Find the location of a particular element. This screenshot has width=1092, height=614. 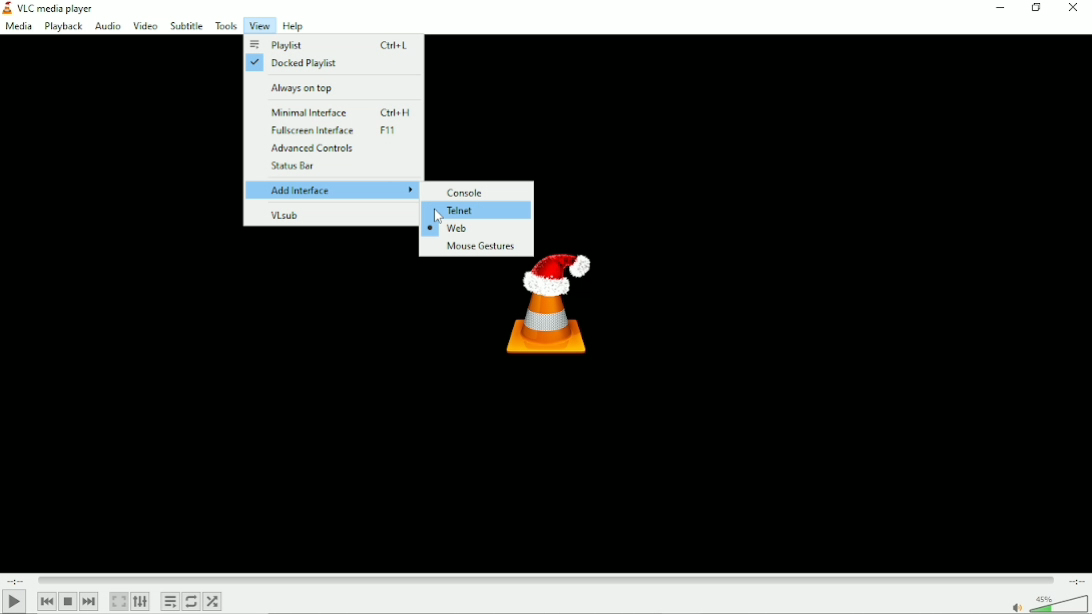

show extended settings is located at coordinates (141, 602).